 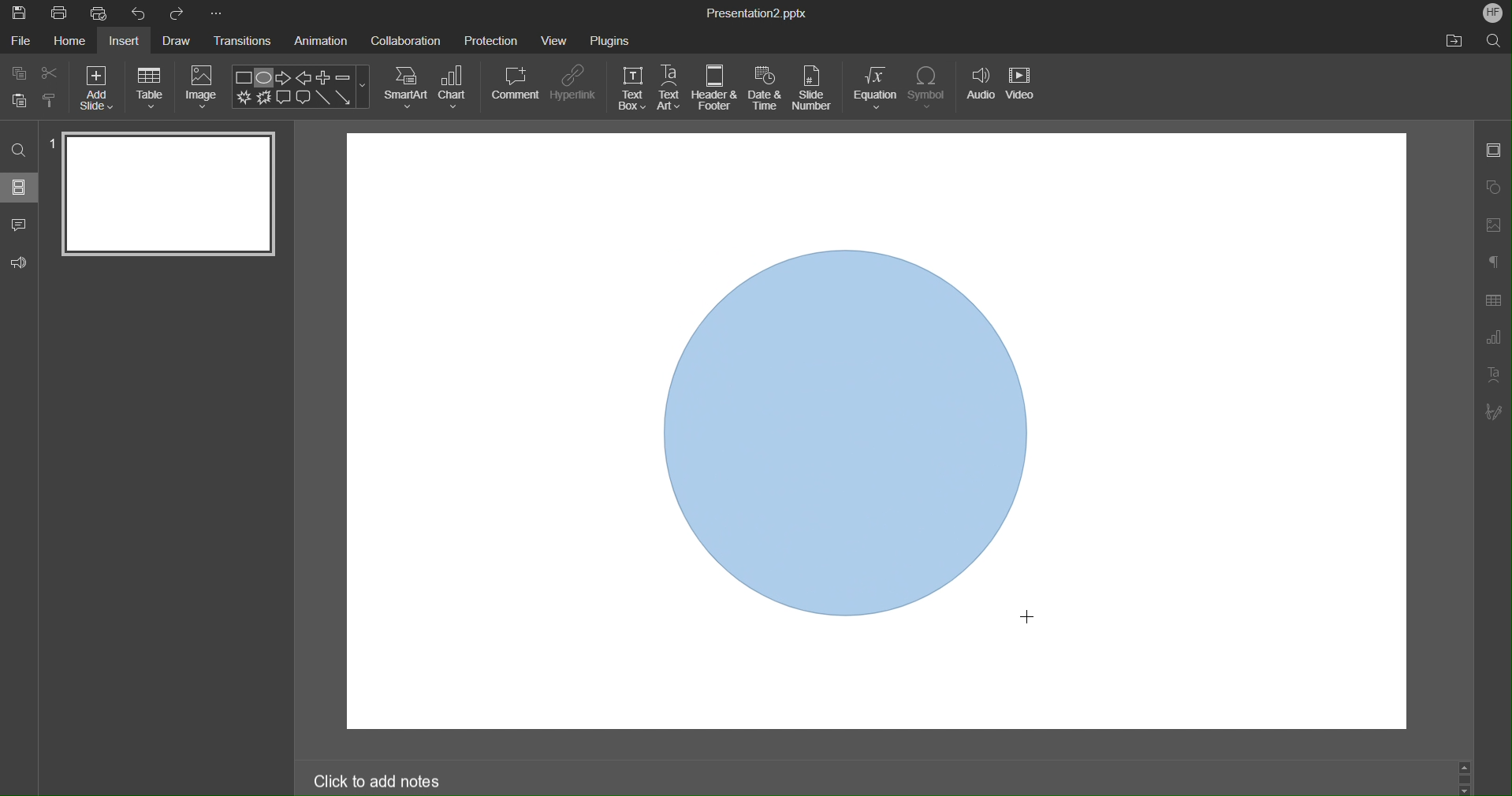 What do you see at coordinates (406, 39) in the screenshot?
I see `Collaboration` at bounding box center [406, 39].